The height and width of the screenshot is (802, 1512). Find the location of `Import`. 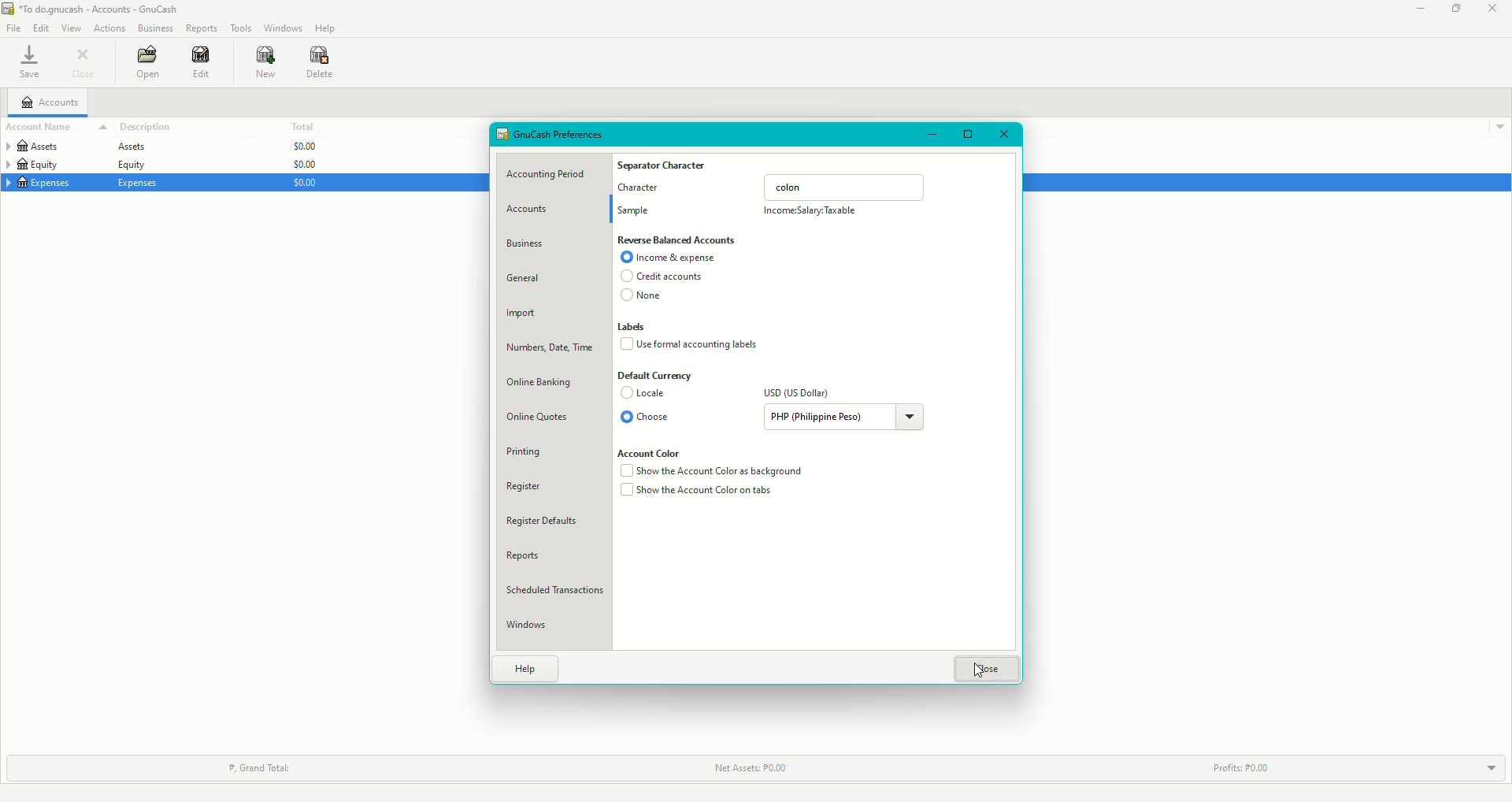

Import is located at coordinates (524, 315).